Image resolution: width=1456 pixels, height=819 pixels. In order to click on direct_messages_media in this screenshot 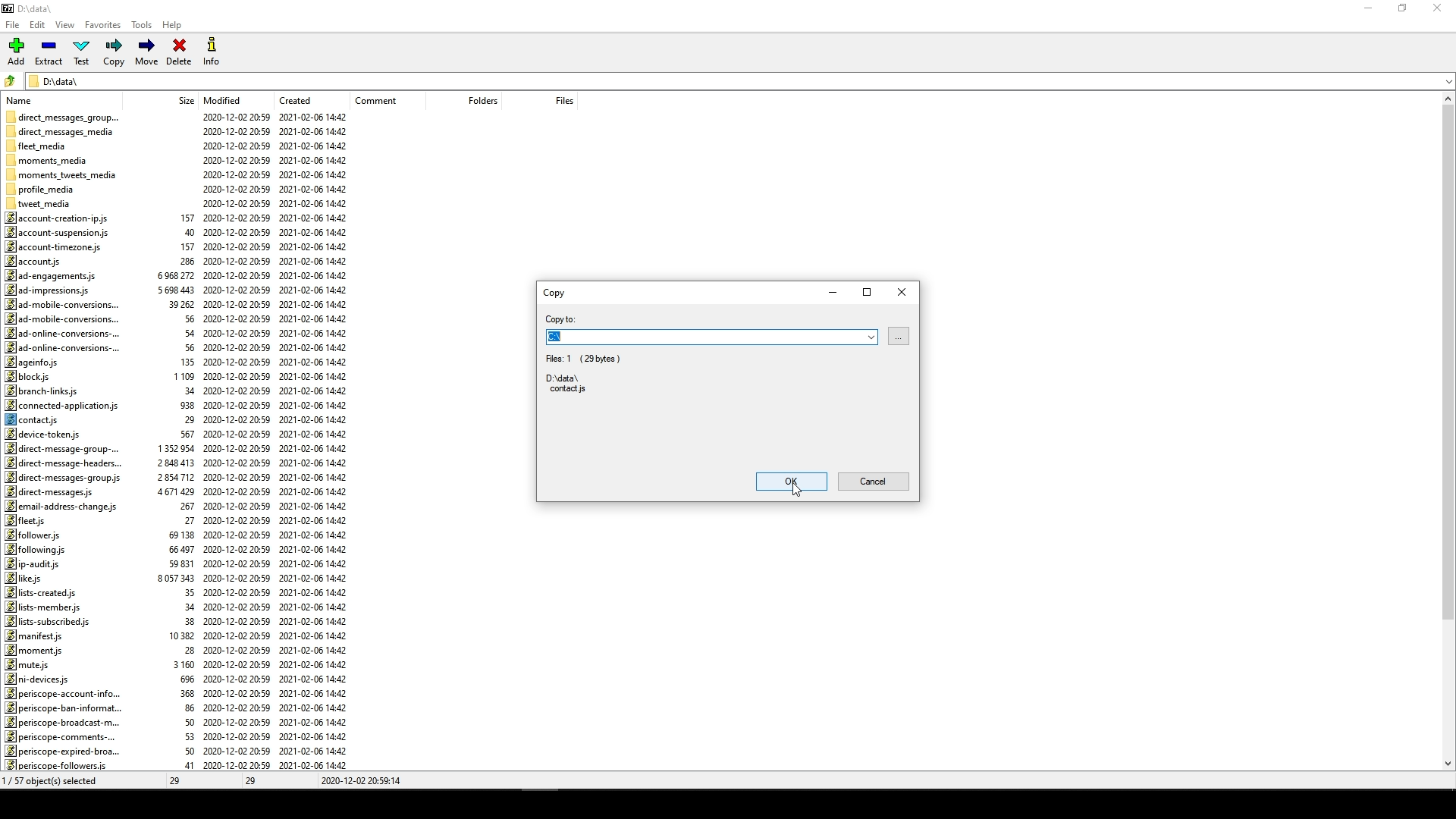, I will do `click(65, 131)`.